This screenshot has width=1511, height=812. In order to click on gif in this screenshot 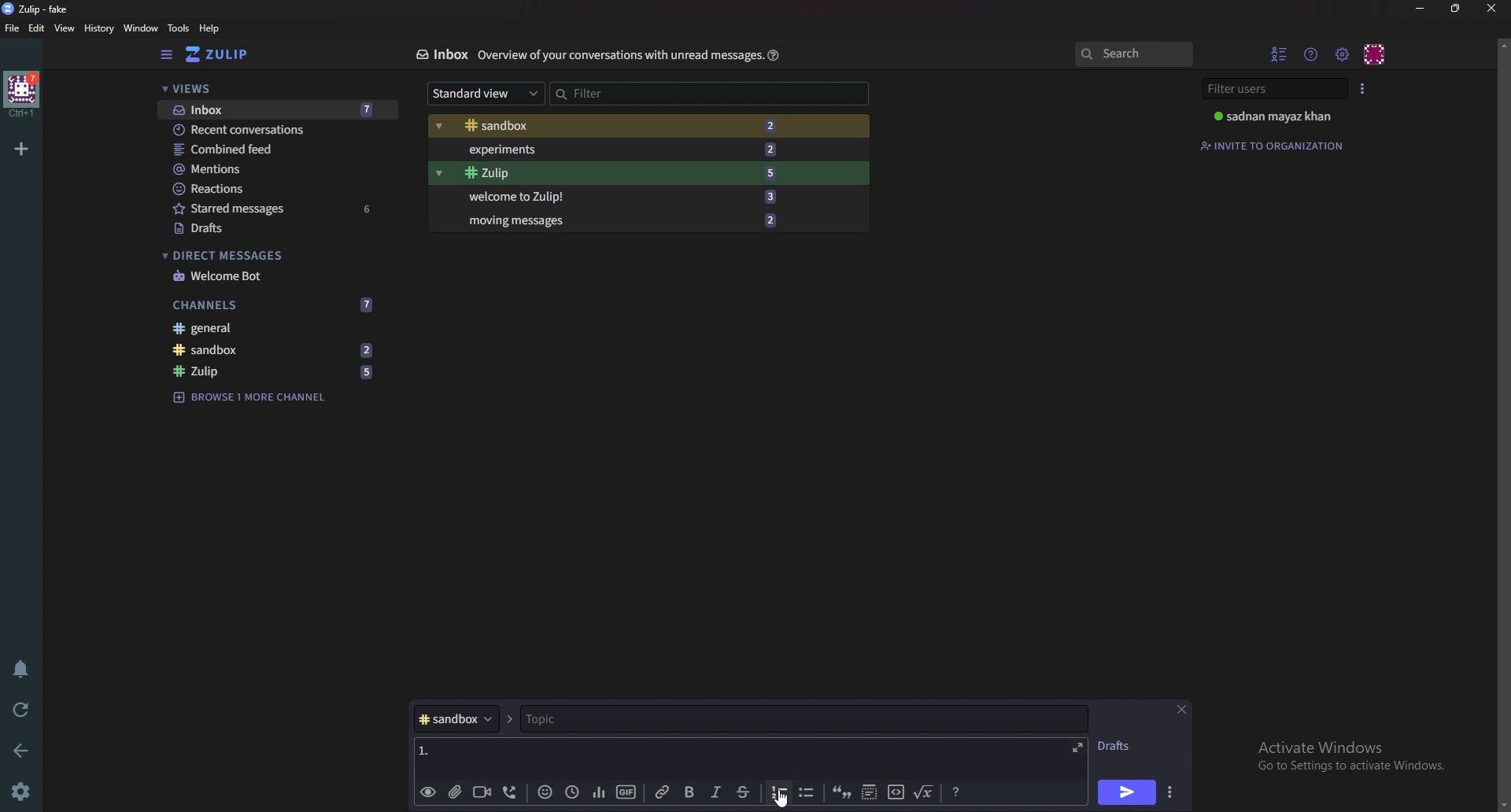, I will do `click(625, 790)`.